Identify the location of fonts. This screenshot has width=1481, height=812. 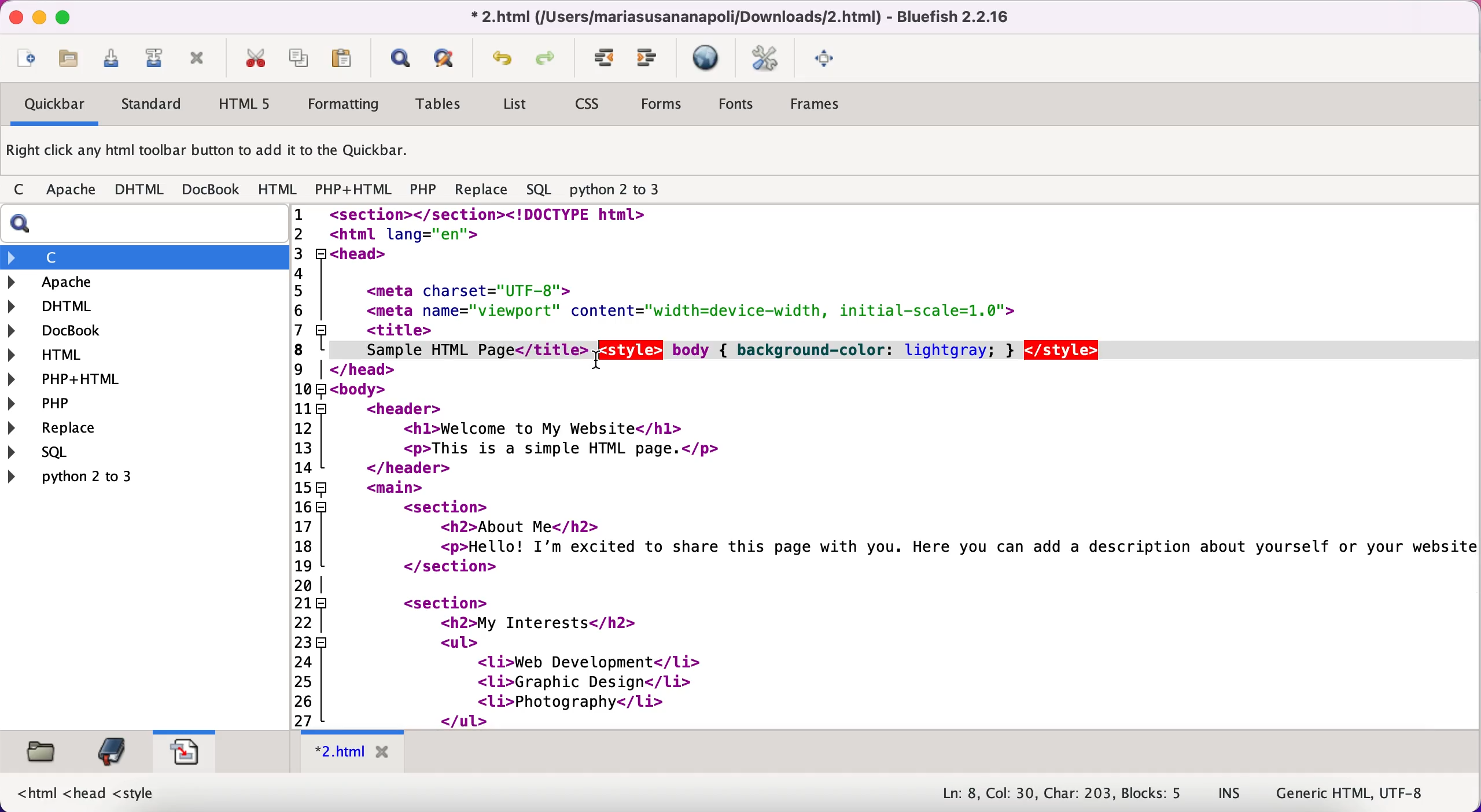
(736, 106).